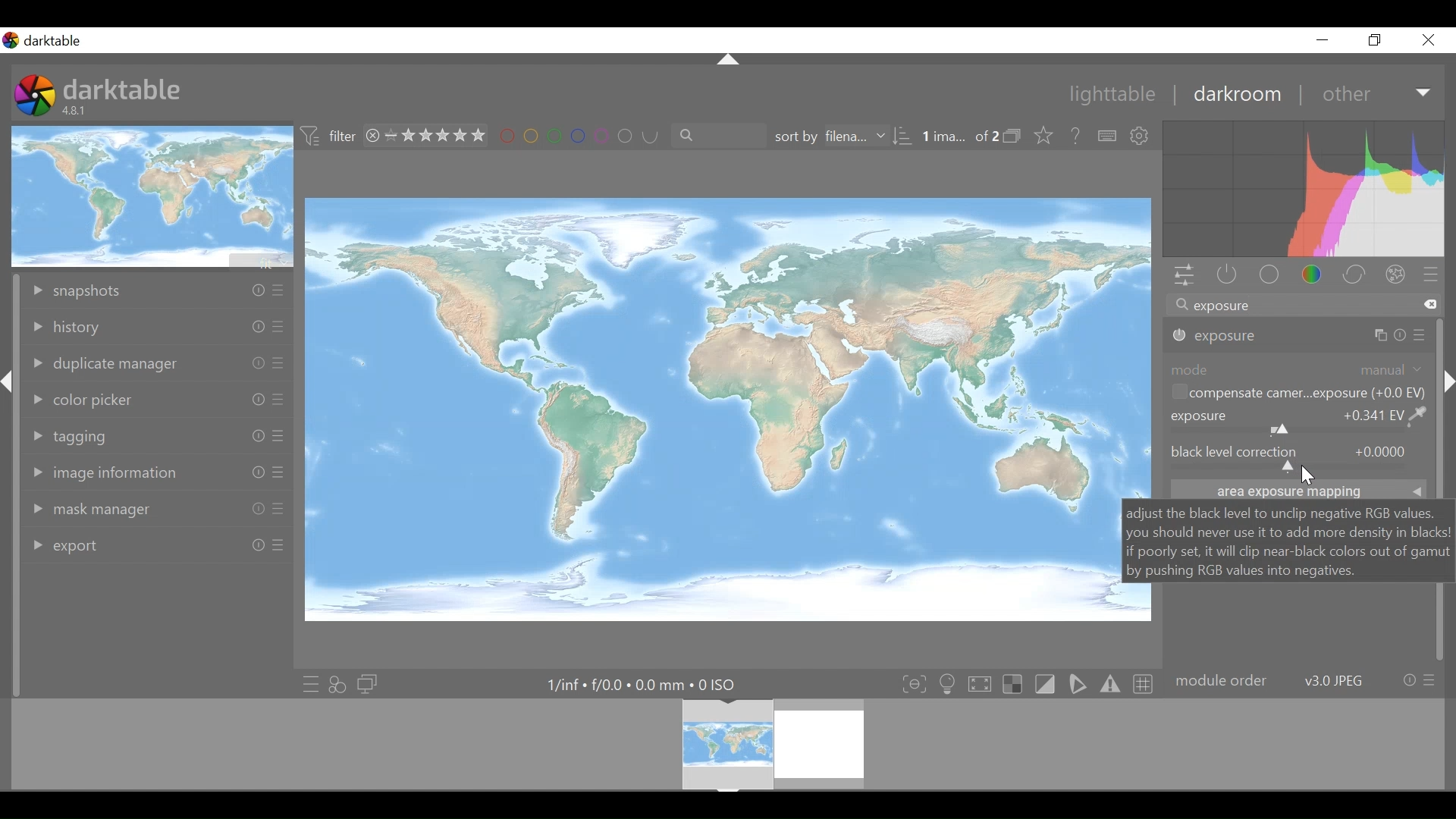 Image resolution: width=1456 pixels, height=819 pixels. What do you see at coordinates (77, 111) in the screenshot?
I see `4.8.1` at bounding box center [77, 111].